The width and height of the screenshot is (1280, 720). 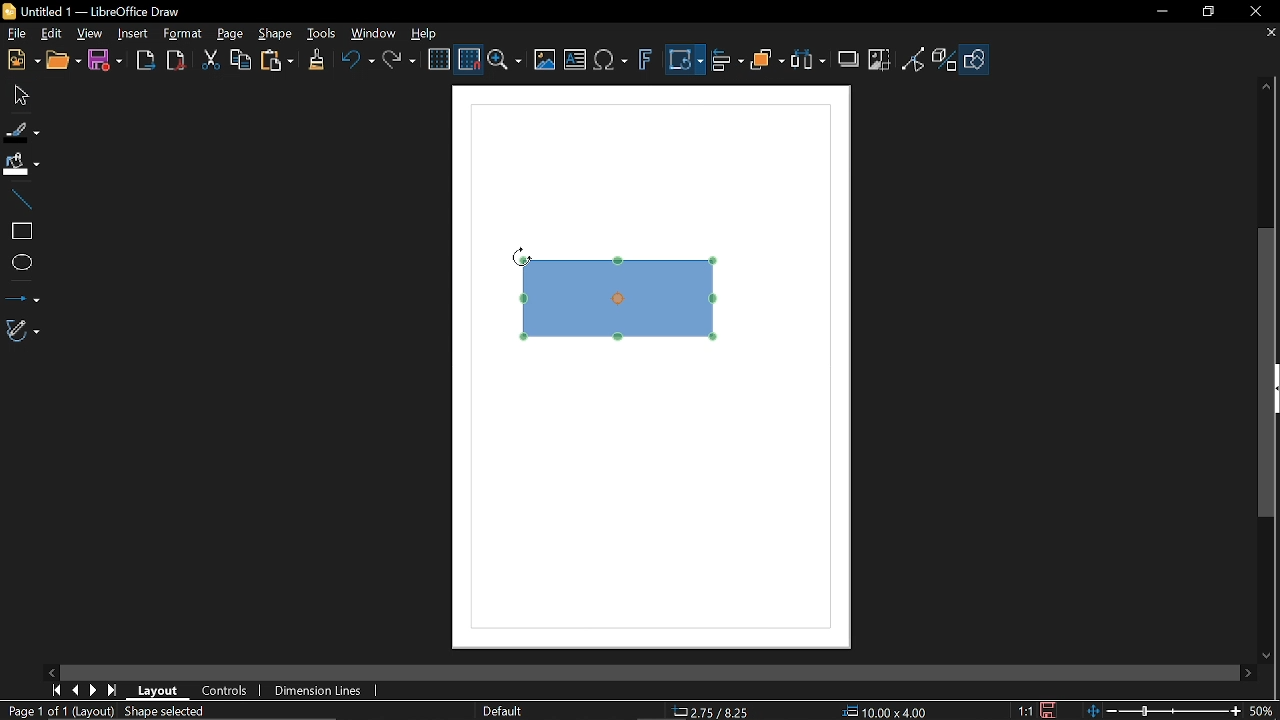 I want to click on Tools, so click(x=322, y=34).